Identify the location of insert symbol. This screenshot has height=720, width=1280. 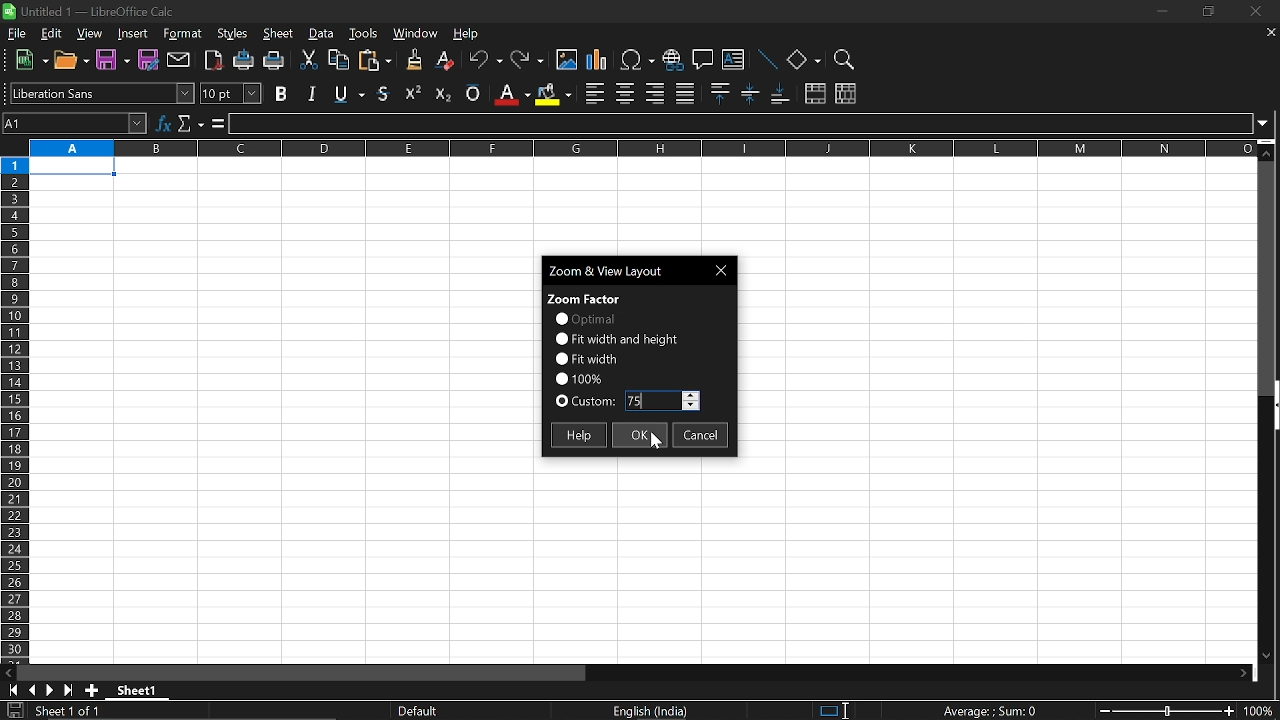
(637, 60).